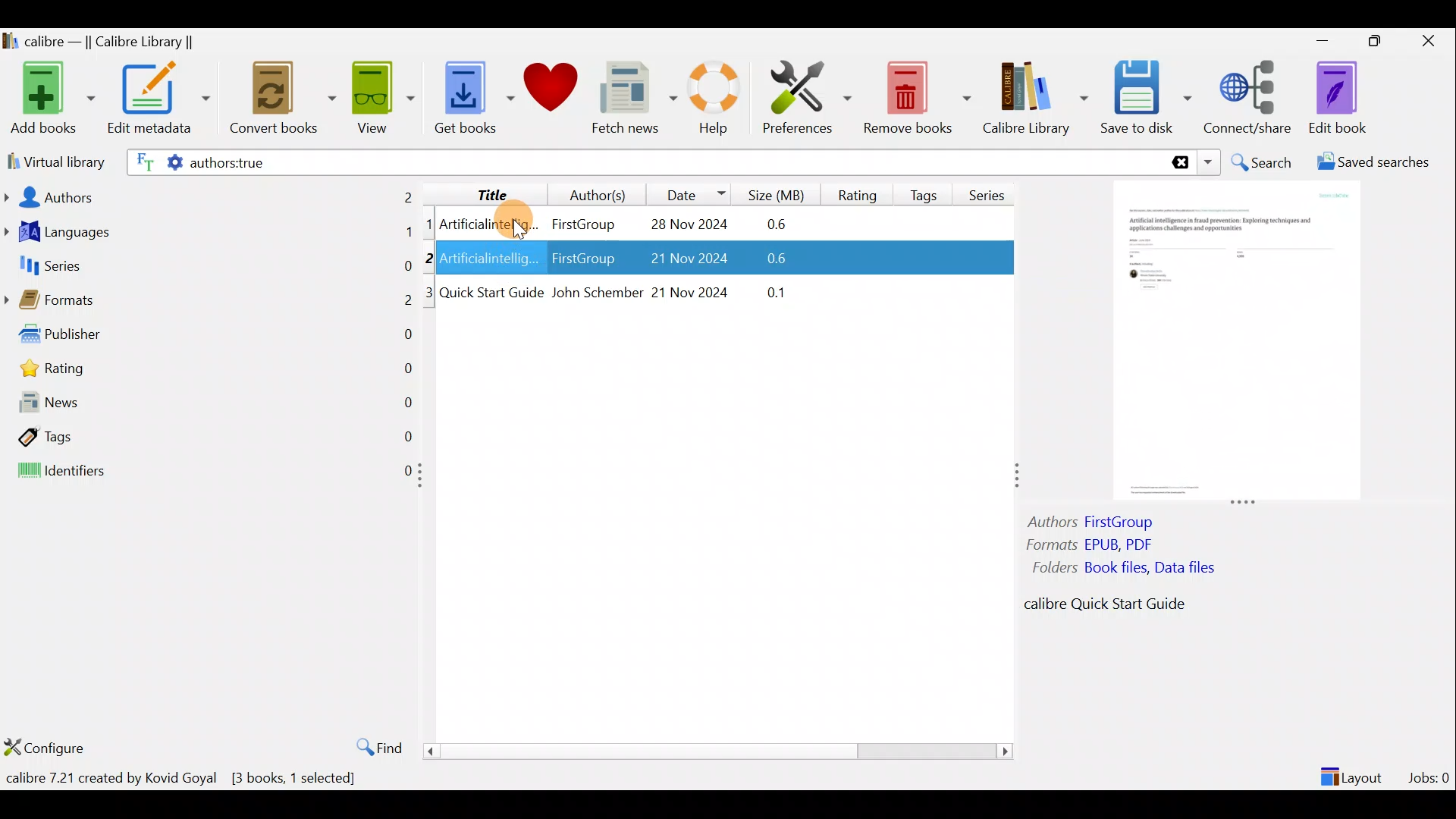  Describe the element at coordinates (918, 97) in the screenshot. I see `Remove books` at that location.